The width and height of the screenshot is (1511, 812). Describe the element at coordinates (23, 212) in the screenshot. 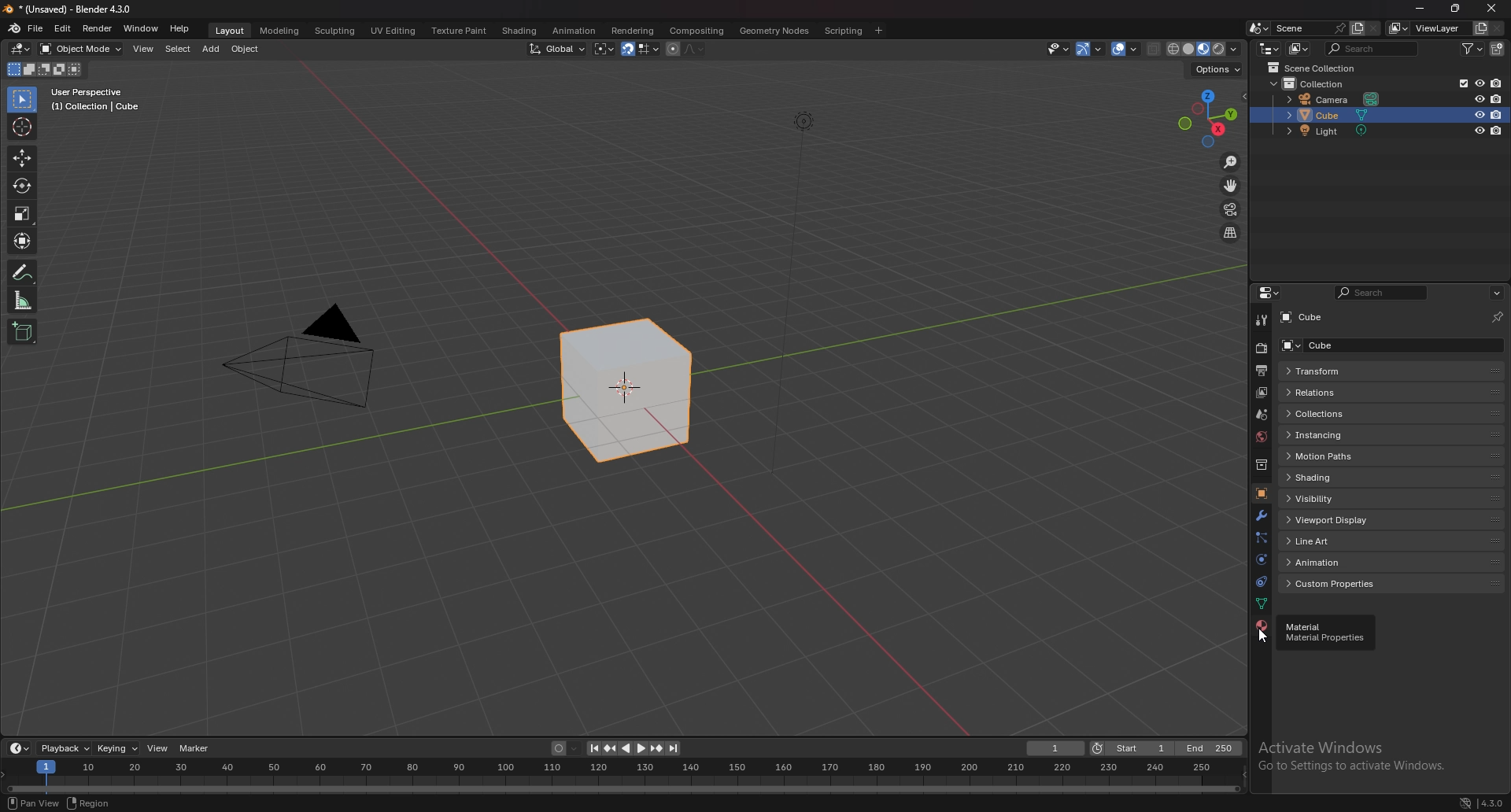

I see `scale` at that location.